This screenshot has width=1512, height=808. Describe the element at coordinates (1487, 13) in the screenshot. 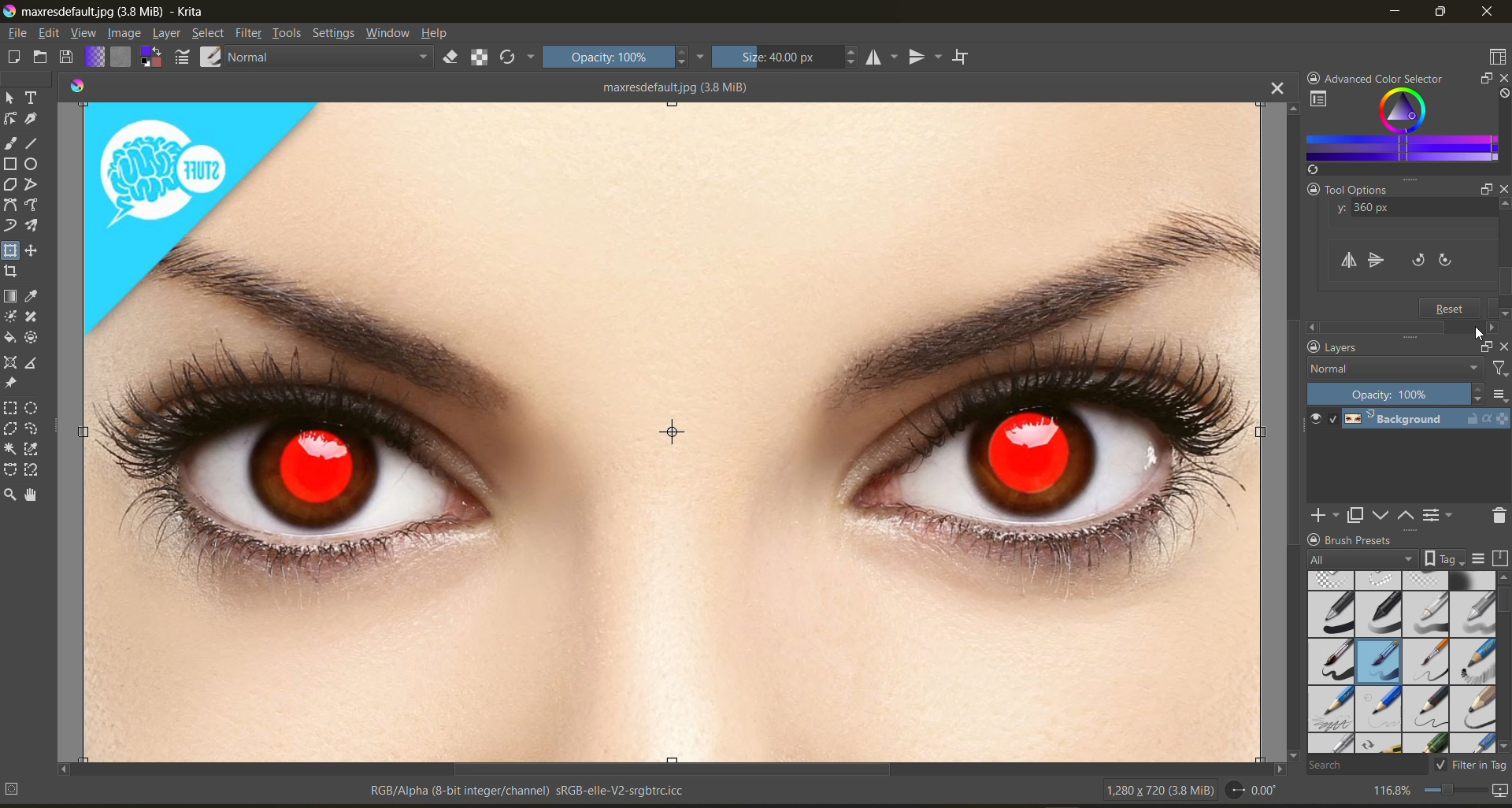

I see `close` at that location.